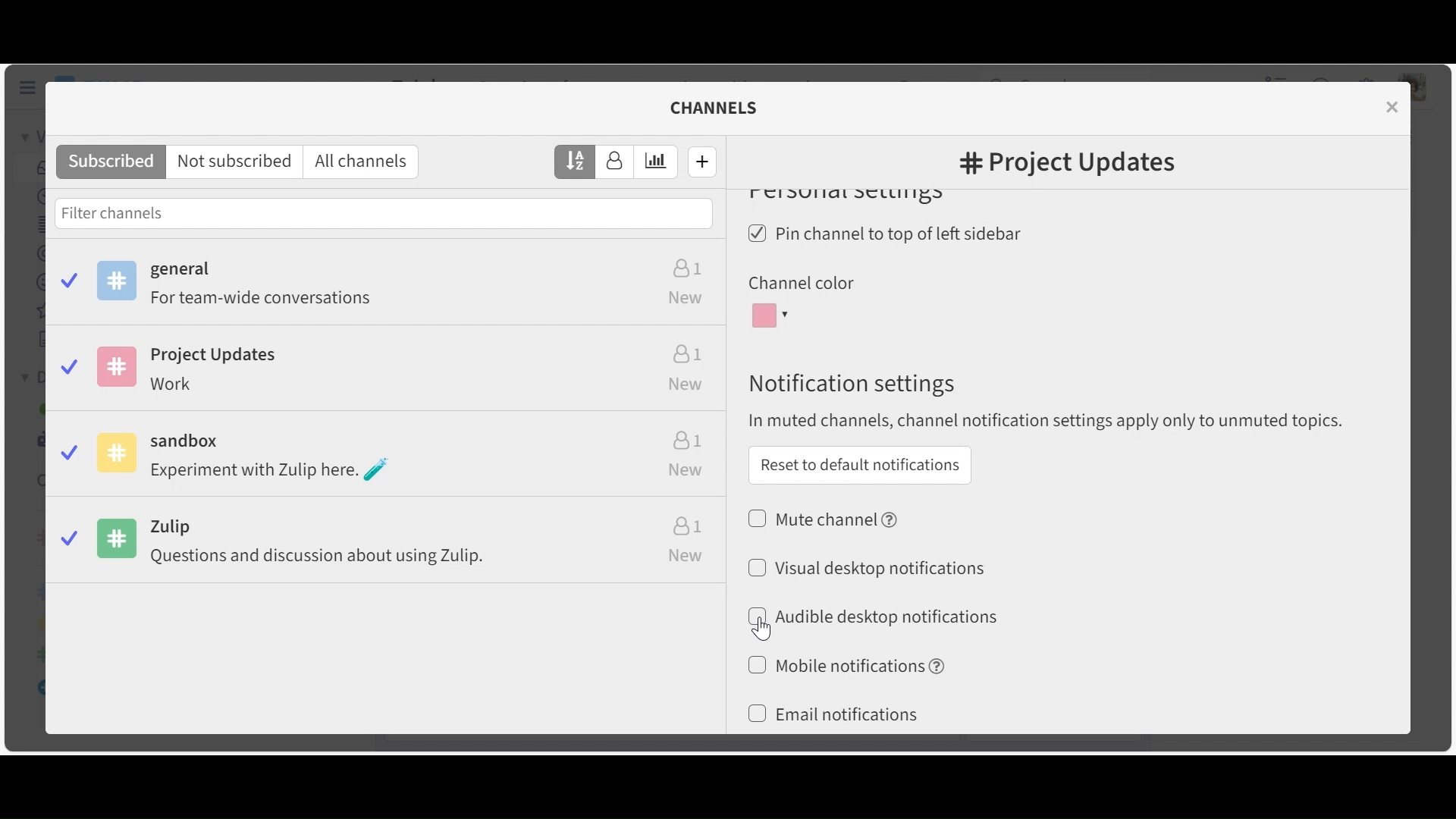 The height and width of the screenshot is (819, 1456). What do you see at coordinates (1067, 165) in the screenshot?
I see `#Channel` at bounding box center [1067, 165].